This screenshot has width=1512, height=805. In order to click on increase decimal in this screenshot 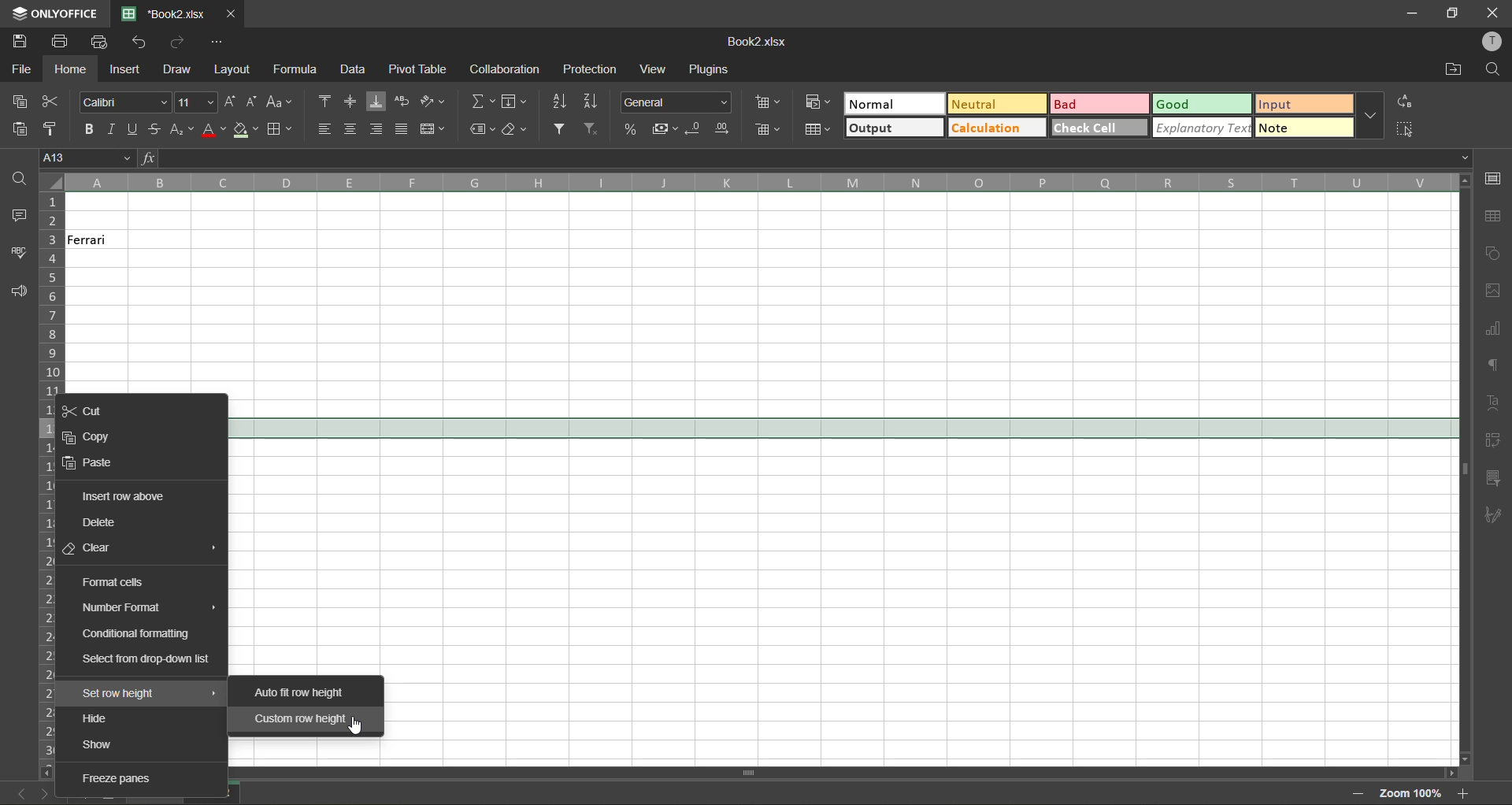, I will do `click(725, 128)`.